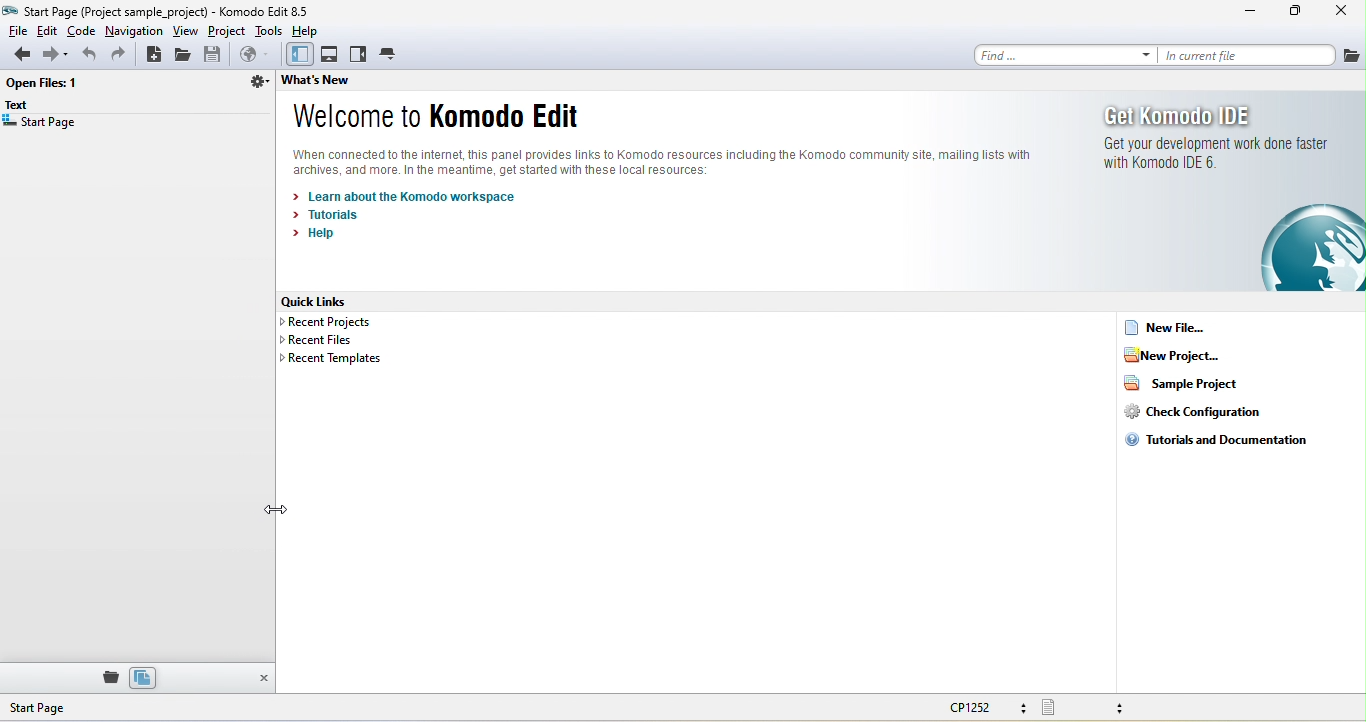 Image resolution: width=1366 pixels, height=722 pixels. I want to click on image, so click(1310, 247).